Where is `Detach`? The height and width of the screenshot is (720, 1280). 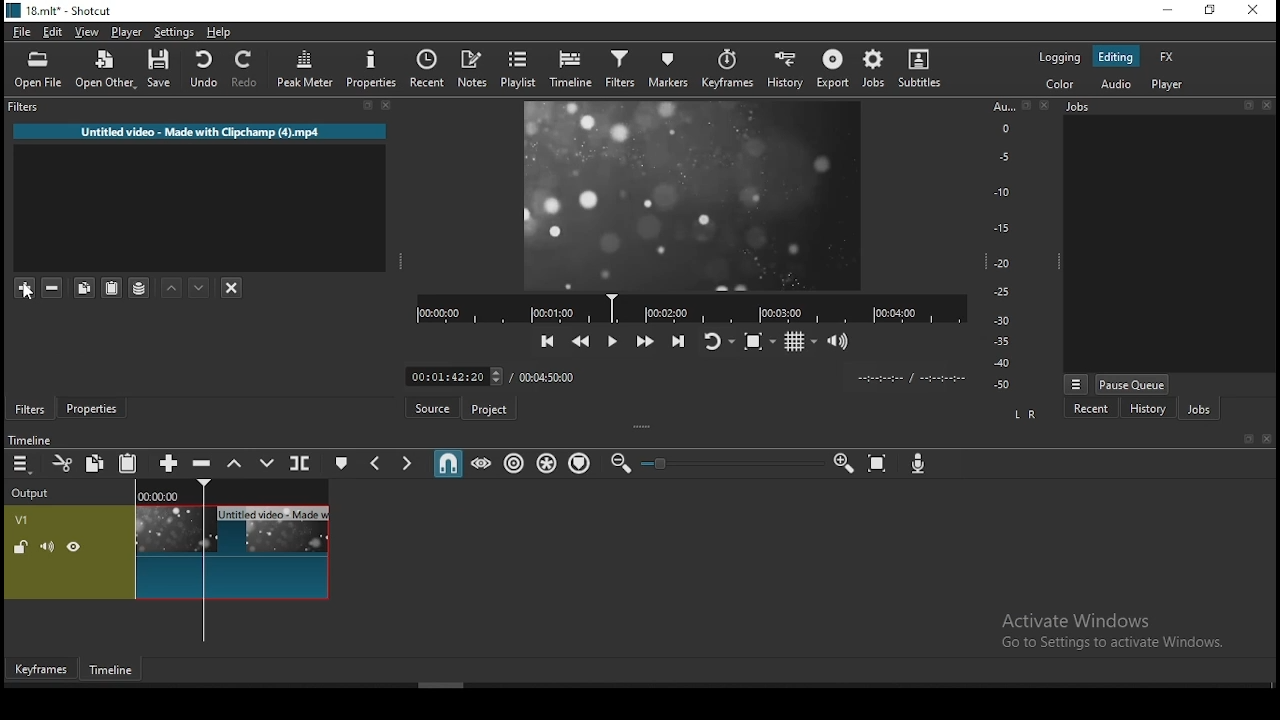
Detach is located at coordinates (1250, 439).